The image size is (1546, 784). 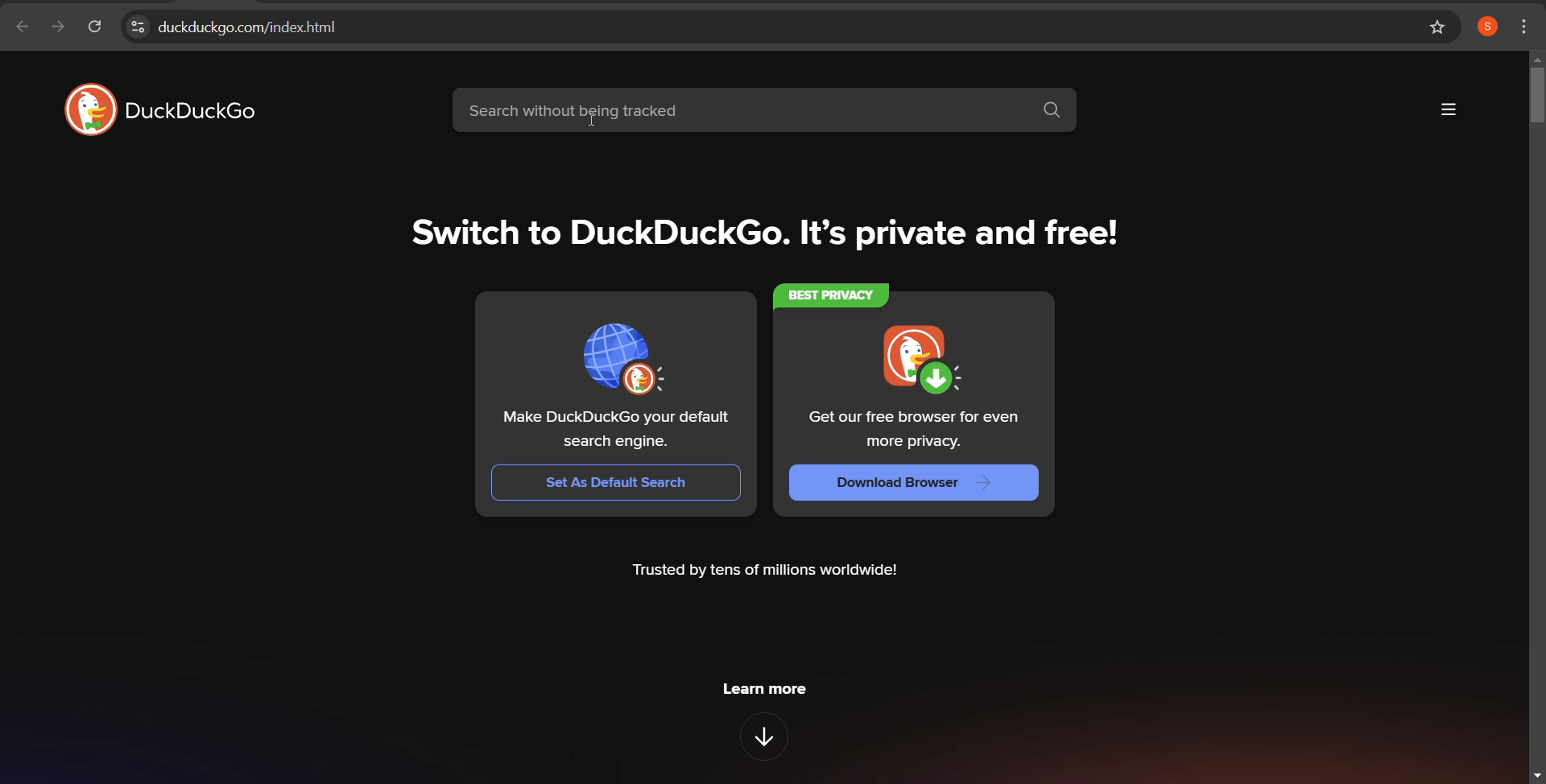 What do you see at coordinates (756, 27) in the screenshot?
I see `web address` at bounding box center [756, 27].